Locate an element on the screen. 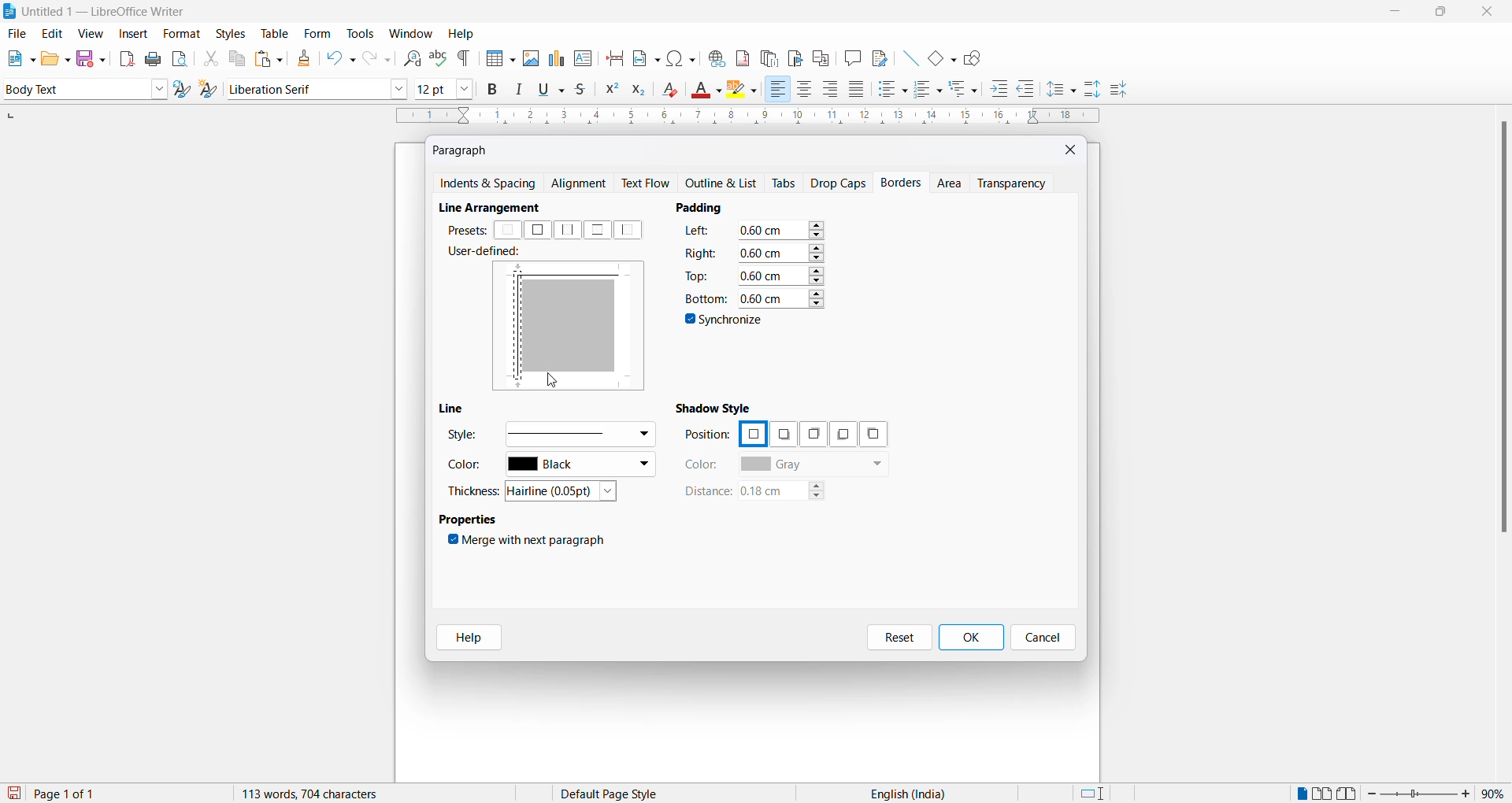 The image size is (1512, 803). save as is located at coordinates (94, 55).